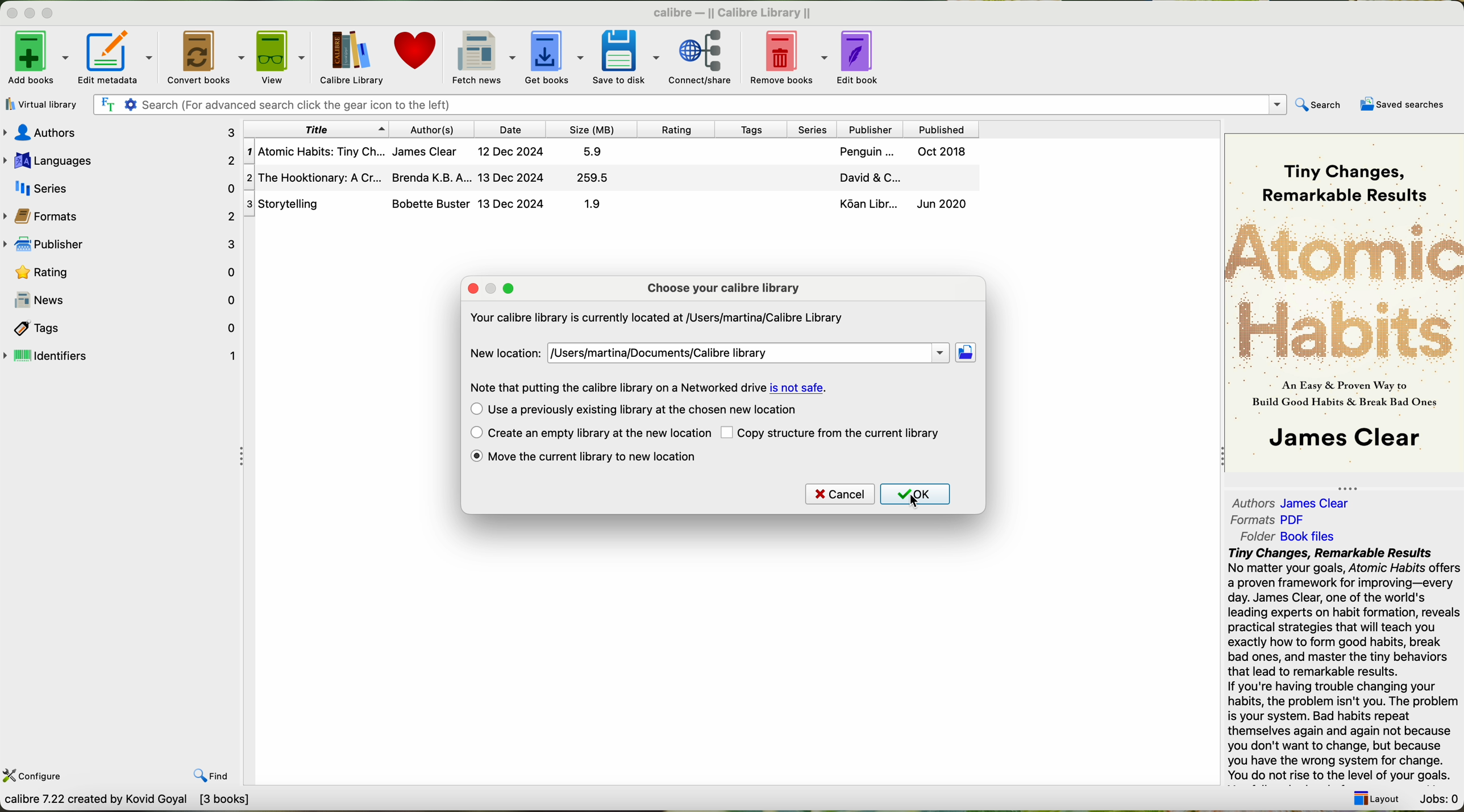 The height and width of the screenshot is (812, 1464). I want to click on Minimize, so click(13, 14).